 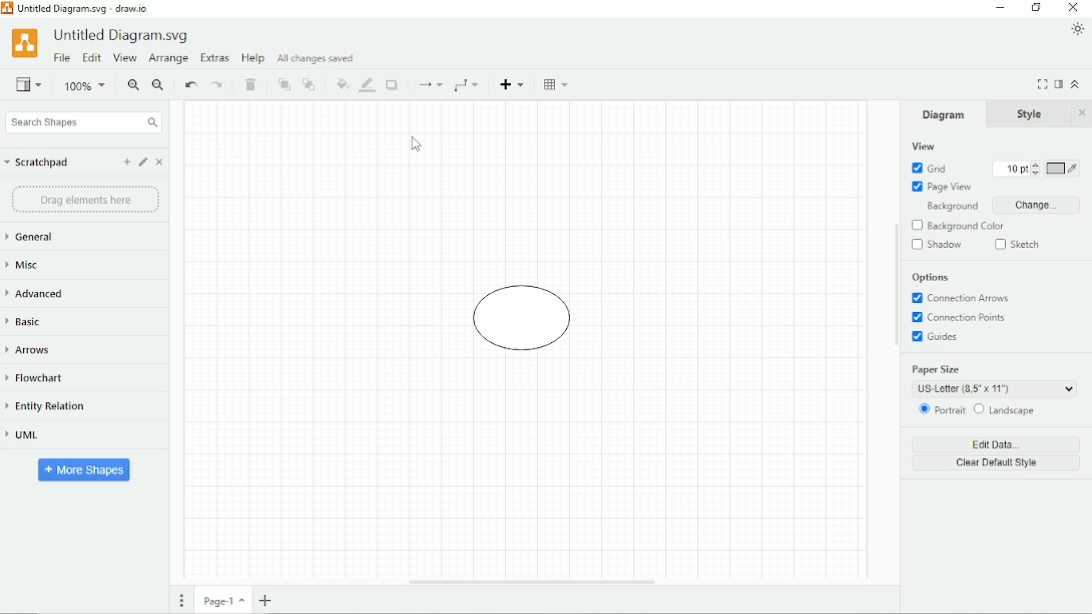 What do you see at coordinates (430, 85) in the screenshot?
I see `Connection` at bounding box center [430, 85].